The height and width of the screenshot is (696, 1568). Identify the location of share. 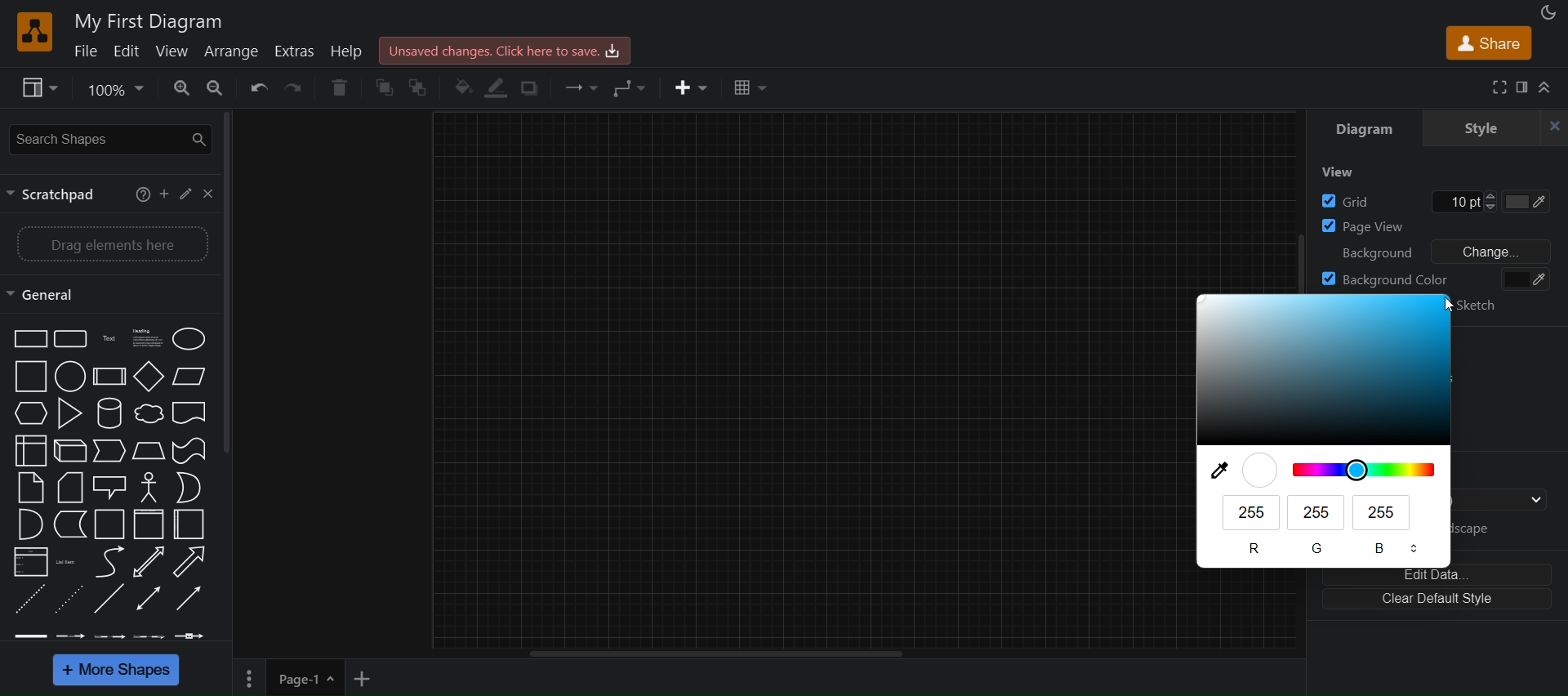
(1486, 44).